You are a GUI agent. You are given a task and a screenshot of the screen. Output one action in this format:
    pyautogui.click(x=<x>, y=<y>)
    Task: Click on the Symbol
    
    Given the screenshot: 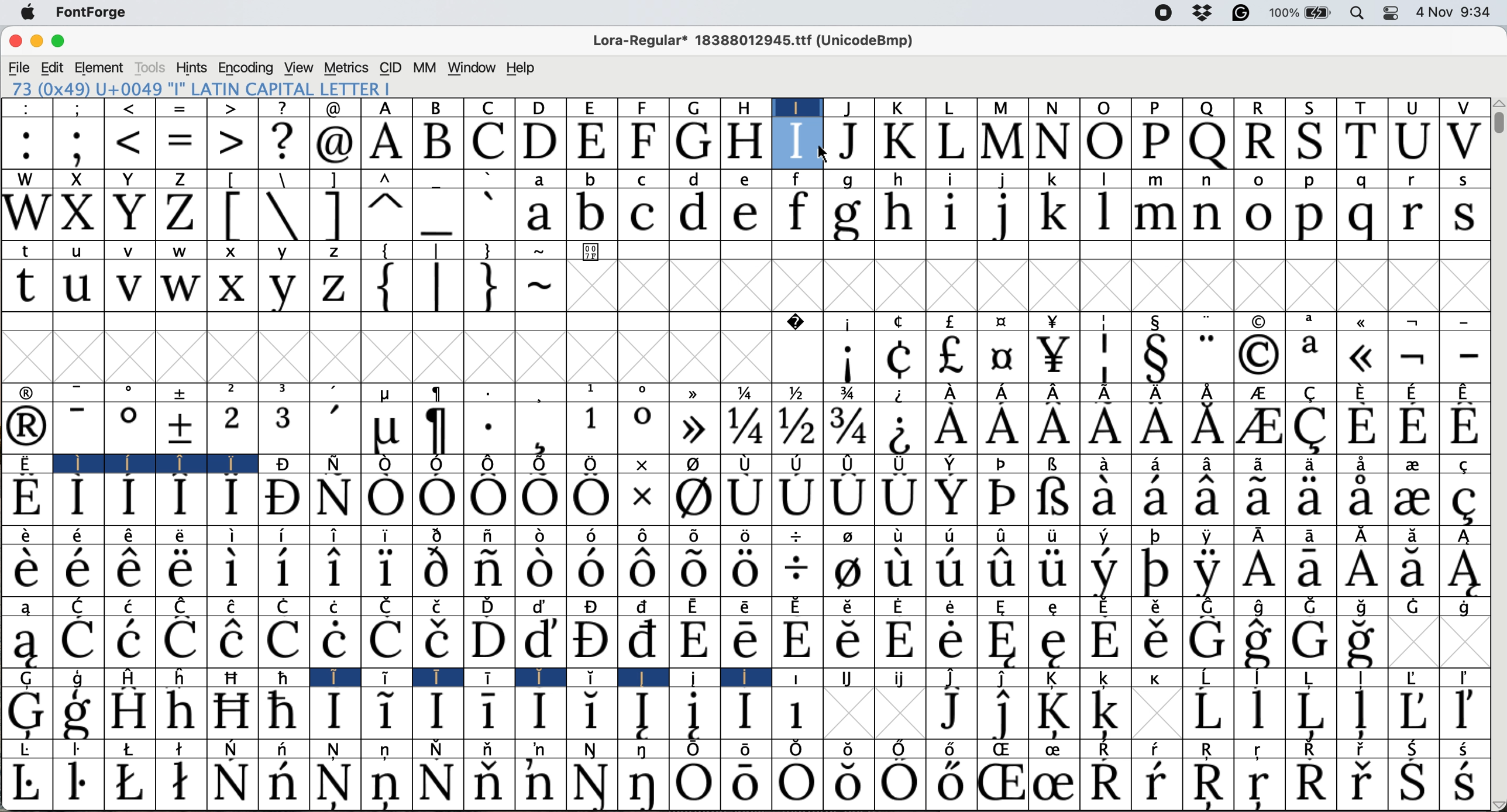 What is the action you would take?
    pyautogui.click(x=1312, y=641)
    